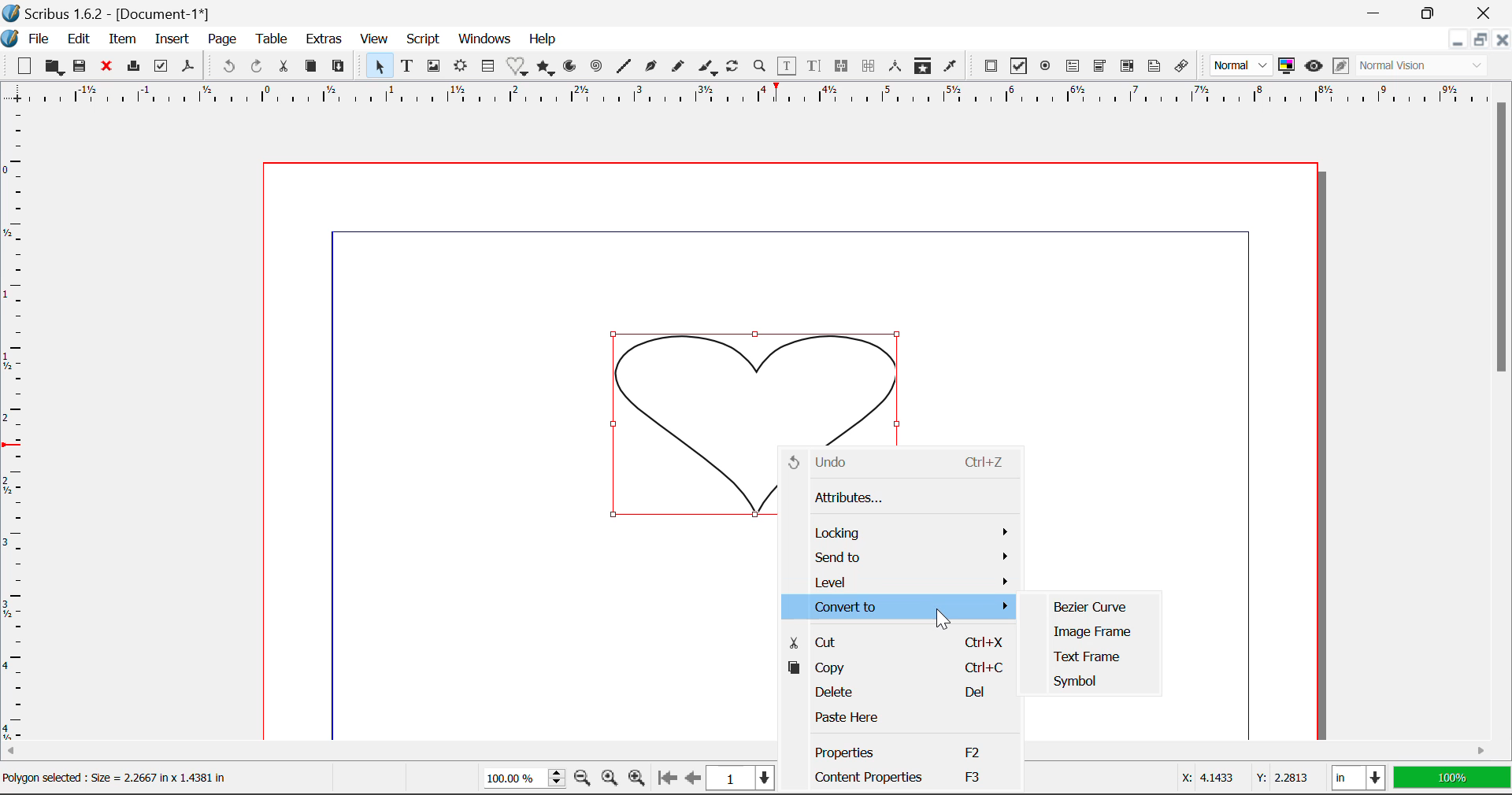  Describe the element at coordinates (898, 668) in the screenshot. I see `Copy` at that location.